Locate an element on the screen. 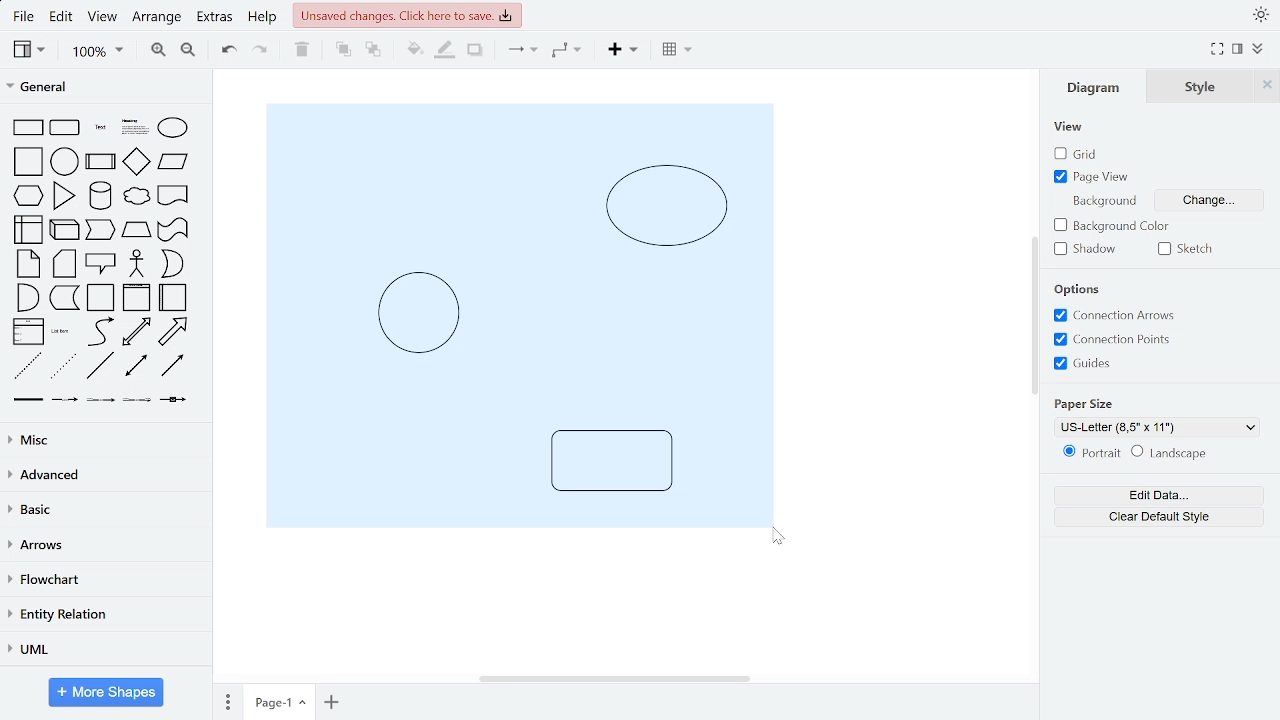 Image resolution: width=1280 pixels, height=720 pixels. curve is located at coordinates (99, 332).